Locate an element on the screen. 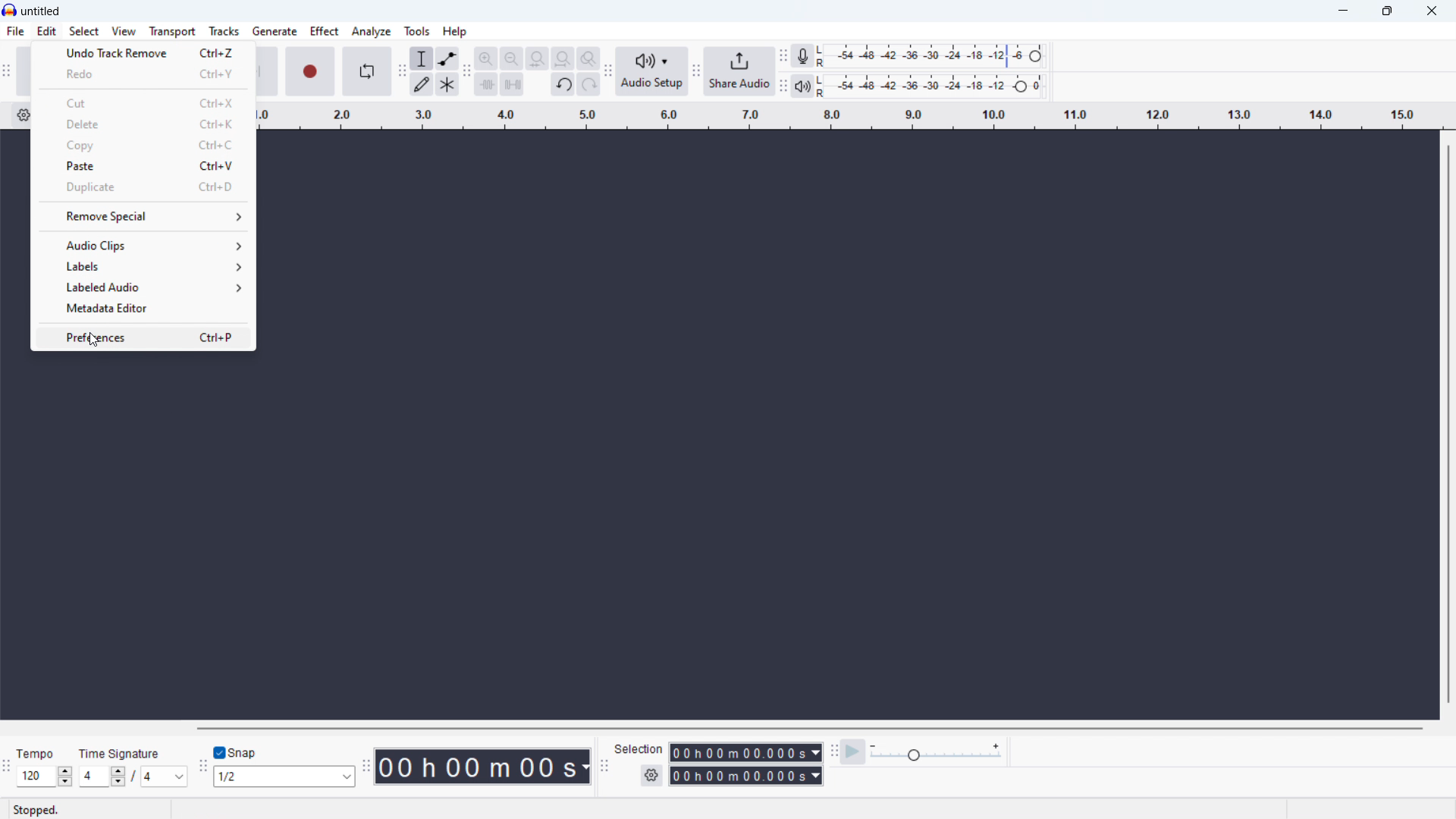  set snapping is located at coordinates (284, 776).